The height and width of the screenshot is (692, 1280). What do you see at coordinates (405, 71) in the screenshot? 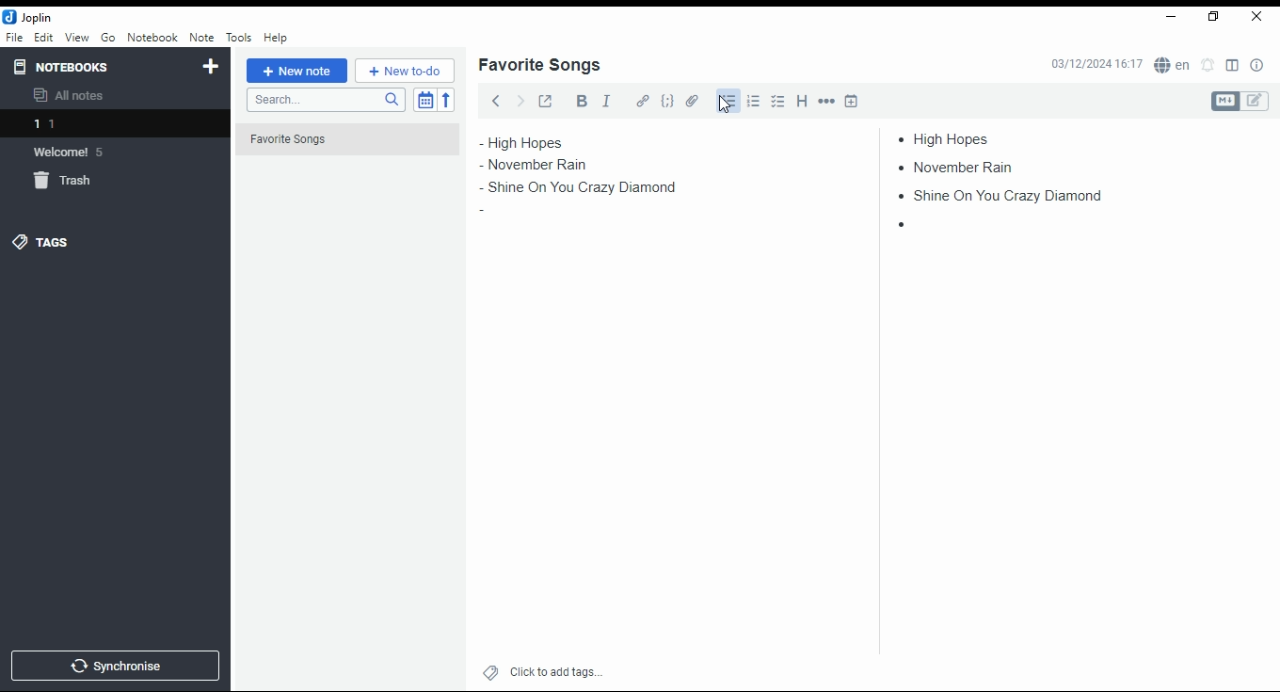
I see `New to-do` at bounding box center [405, 71].